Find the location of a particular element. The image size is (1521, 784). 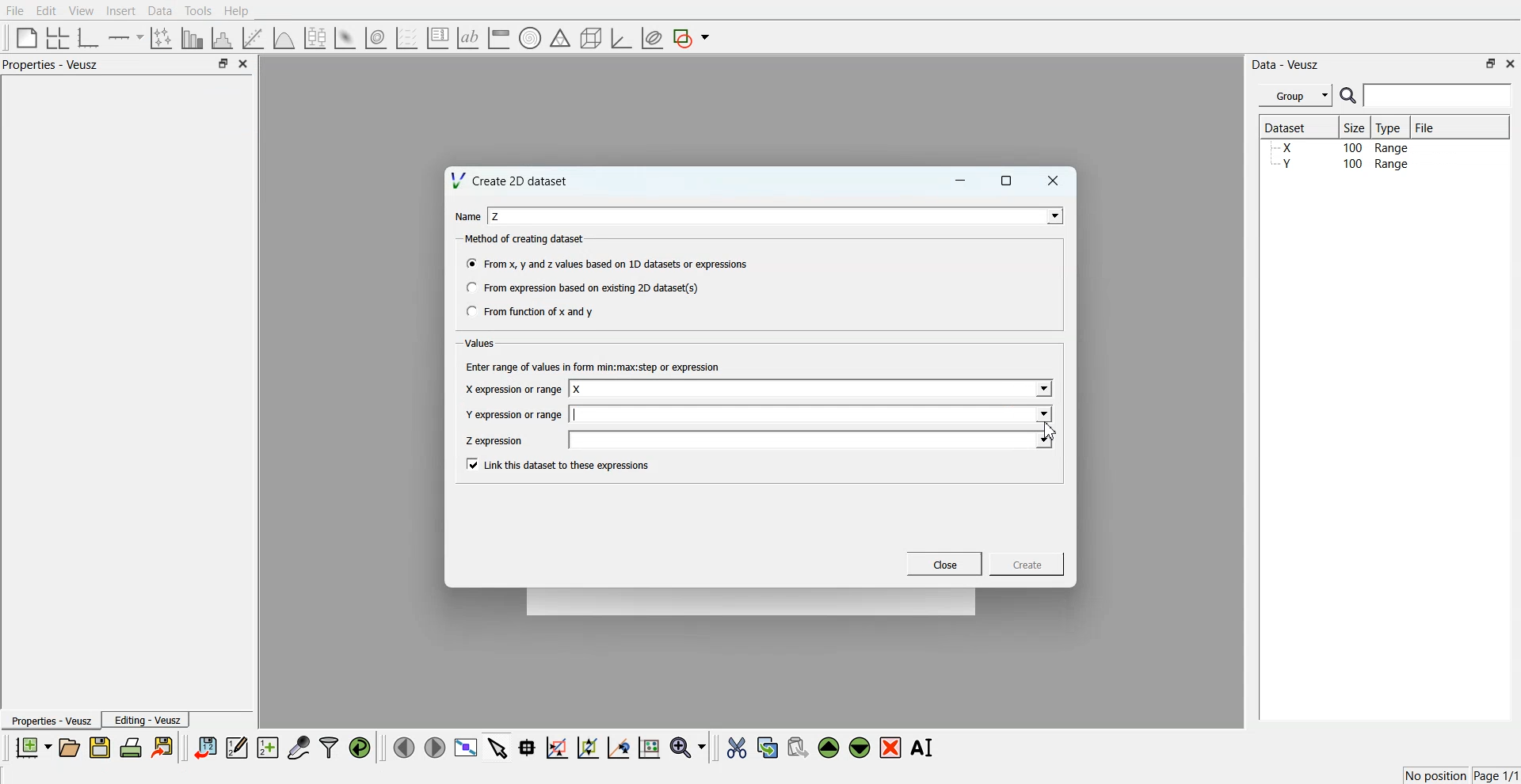

Maximize is located at coordinates (223, 63).